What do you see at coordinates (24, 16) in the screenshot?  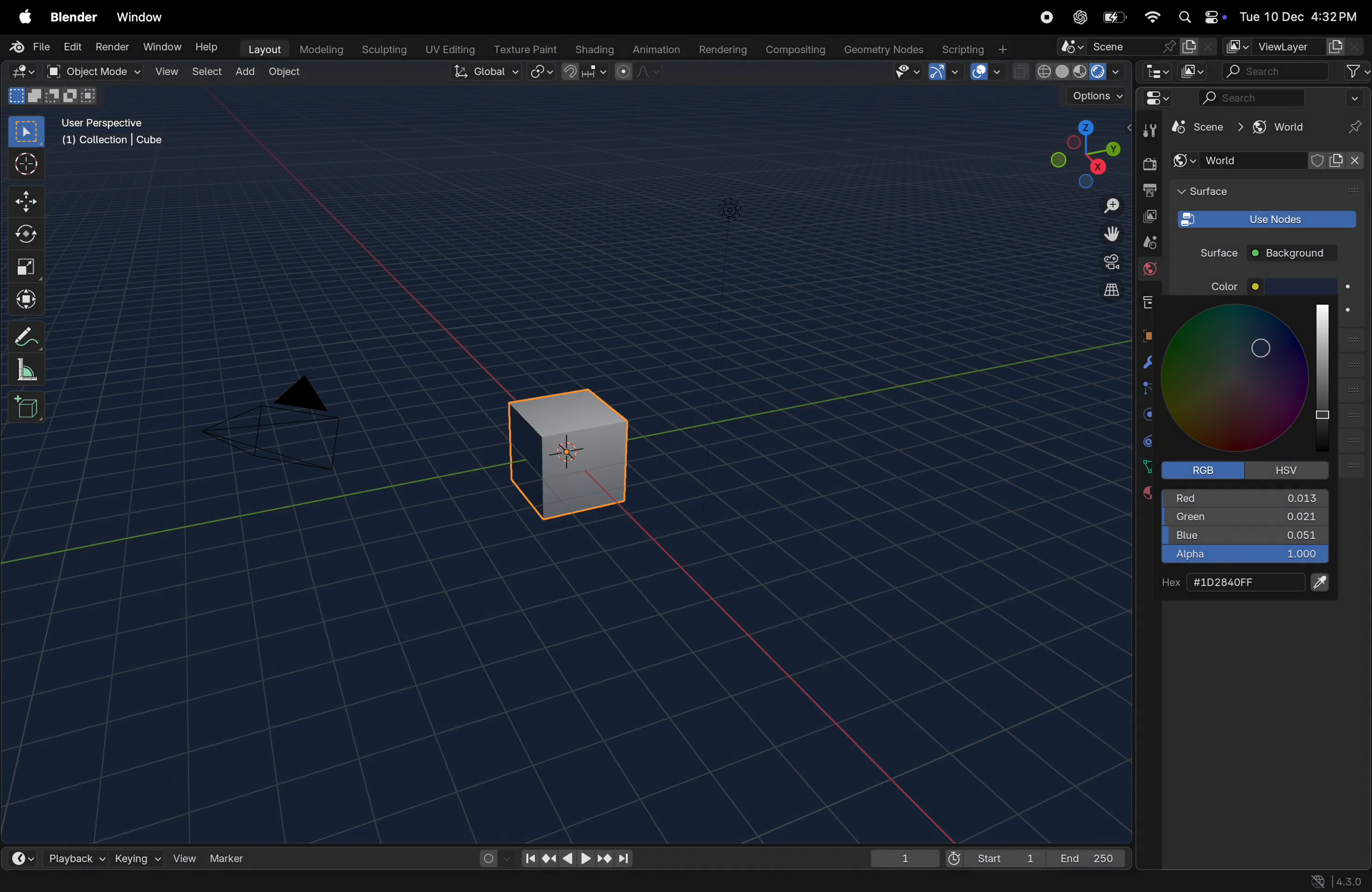 I see `Apple menu` at bounding box center [24, 16].